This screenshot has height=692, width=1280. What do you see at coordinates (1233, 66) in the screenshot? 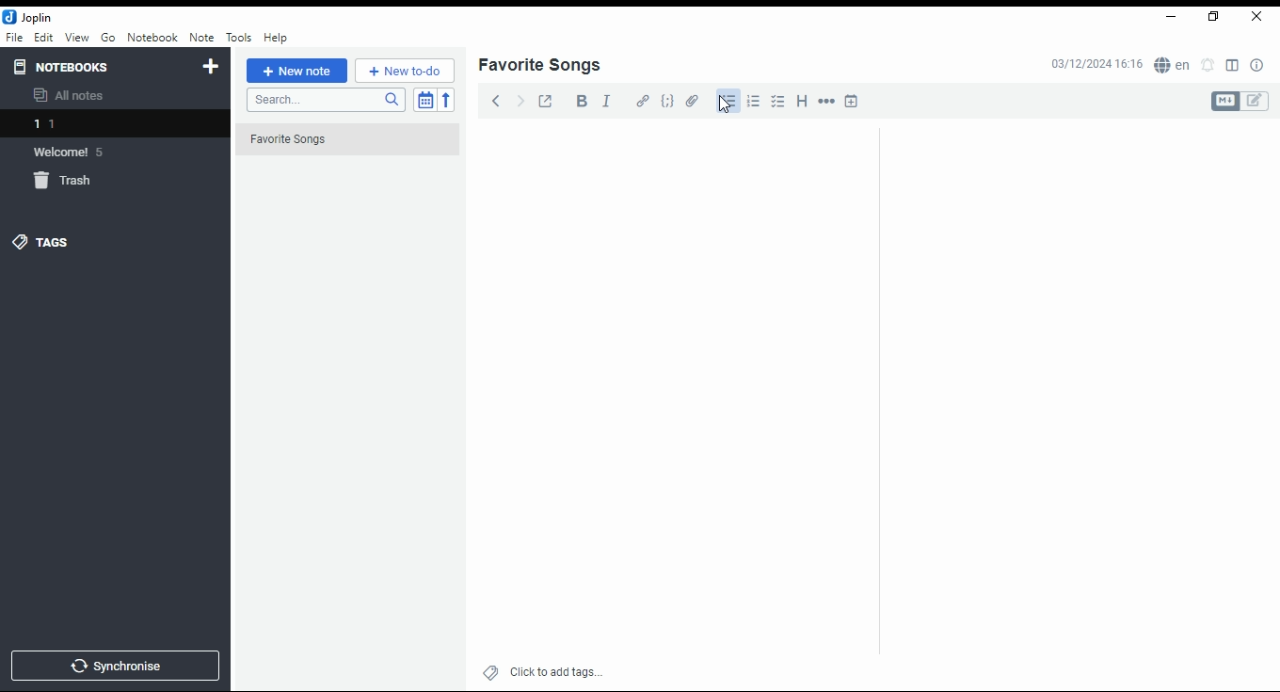
I see `toggle layout` at bounding box center [1233, 66].